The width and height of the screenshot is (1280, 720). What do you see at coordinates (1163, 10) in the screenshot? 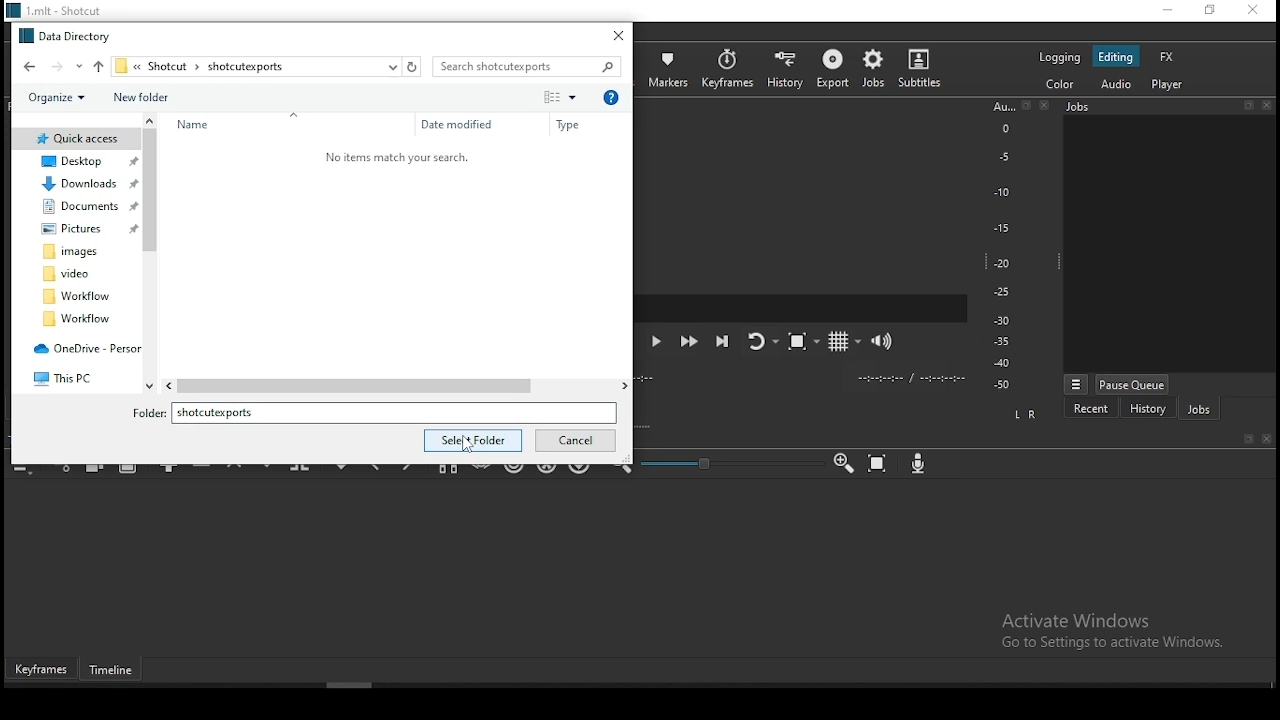
I see `minimize` at bounding box center [1163, 10].